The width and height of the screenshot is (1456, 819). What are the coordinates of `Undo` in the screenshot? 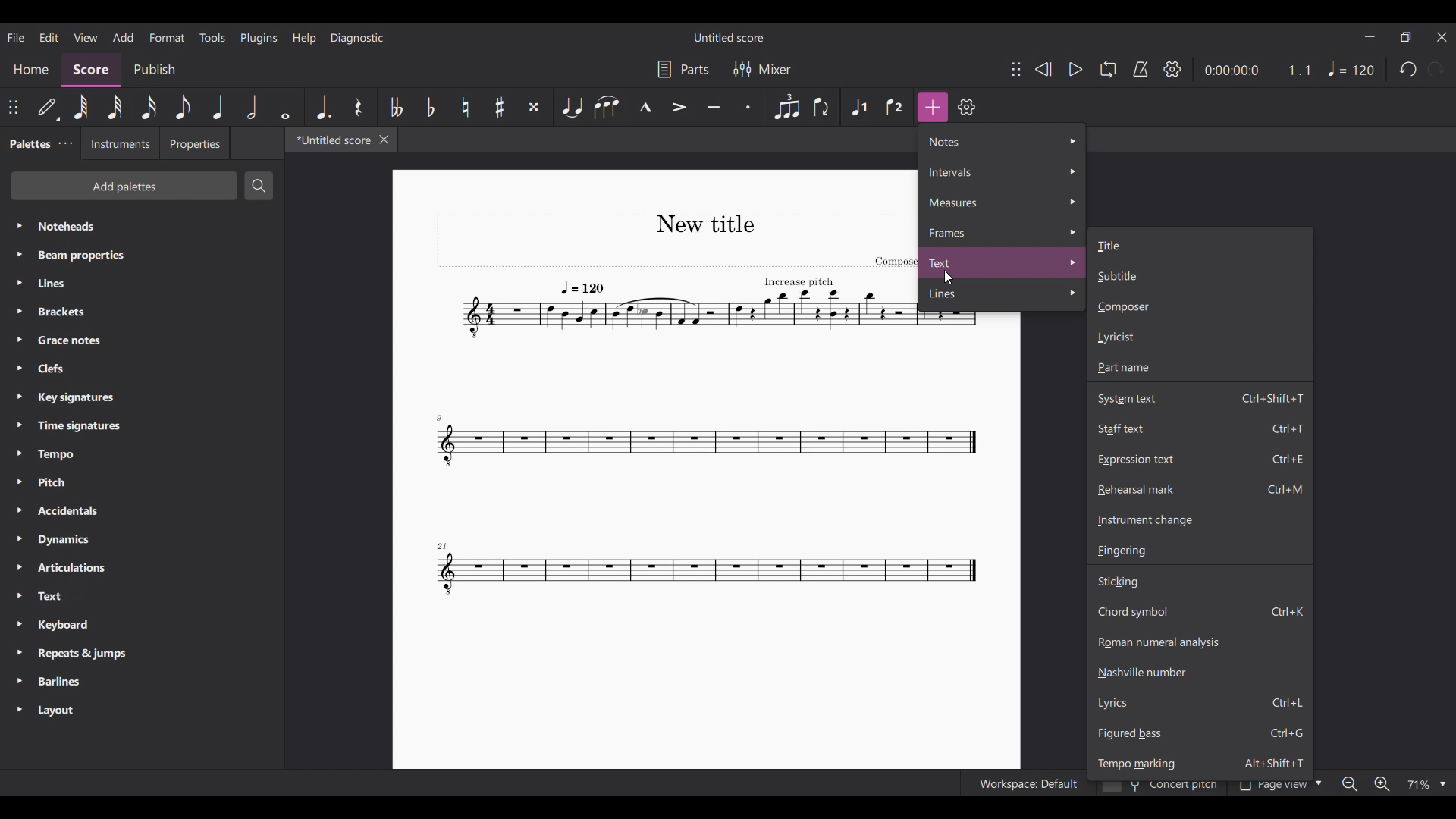 It's located at (1407, 69).